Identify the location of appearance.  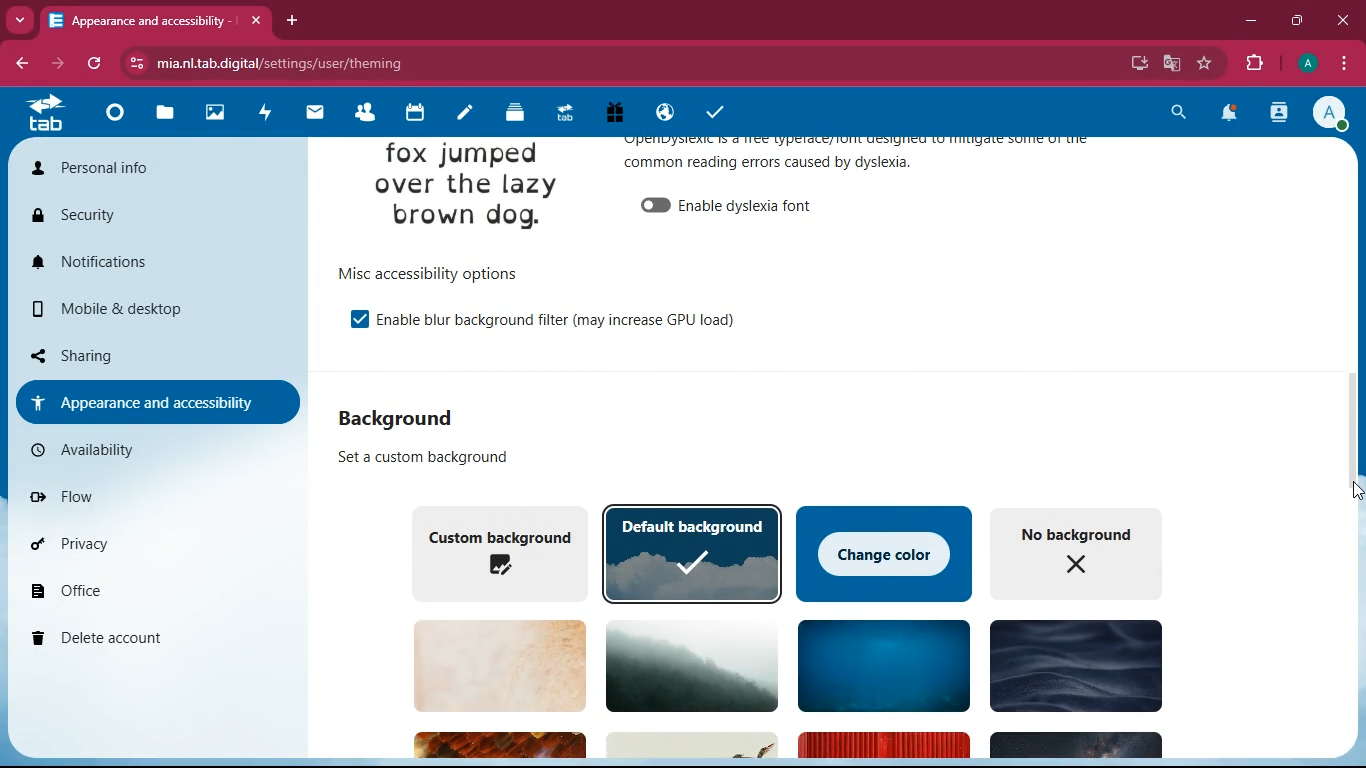
(869, 161).